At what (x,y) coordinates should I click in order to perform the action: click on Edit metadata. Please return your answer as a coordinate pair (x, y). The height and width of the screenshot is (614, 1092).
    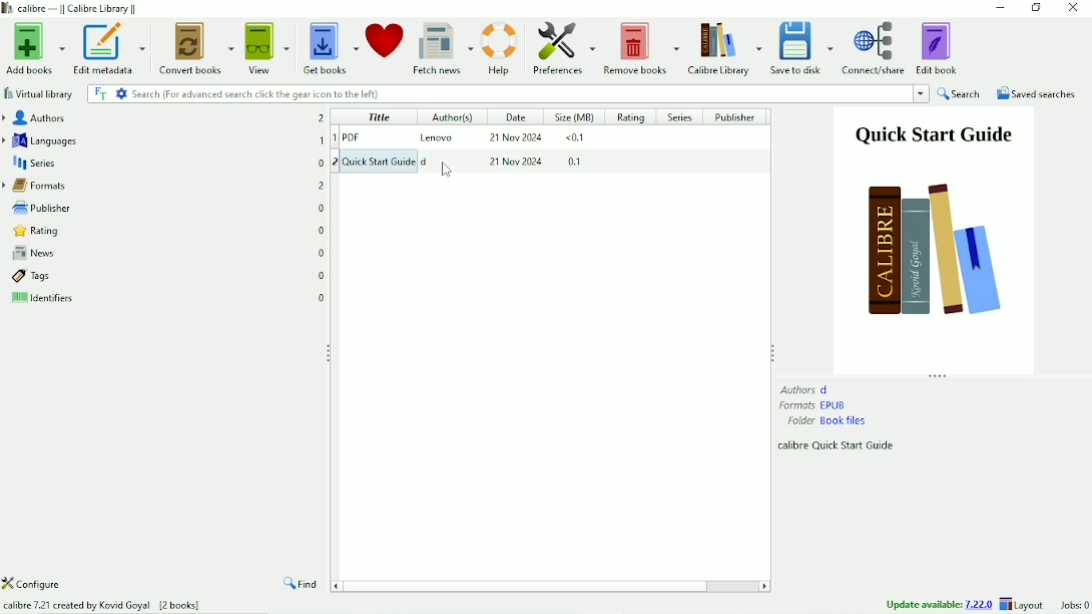
    Looking at the image, I should click on (107, 49).